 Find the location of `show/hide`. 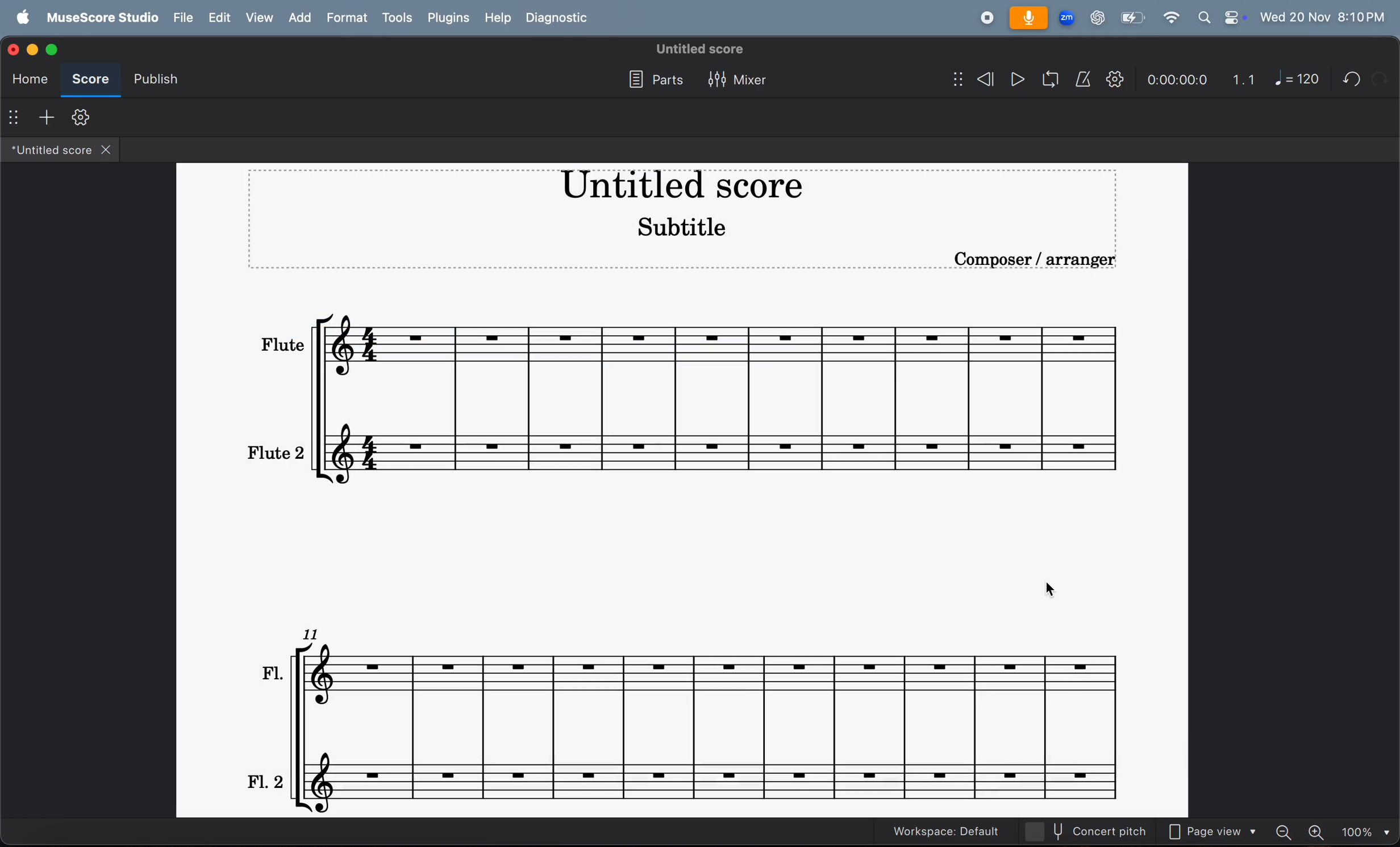

show/hide is located at coordinates (950, 77).